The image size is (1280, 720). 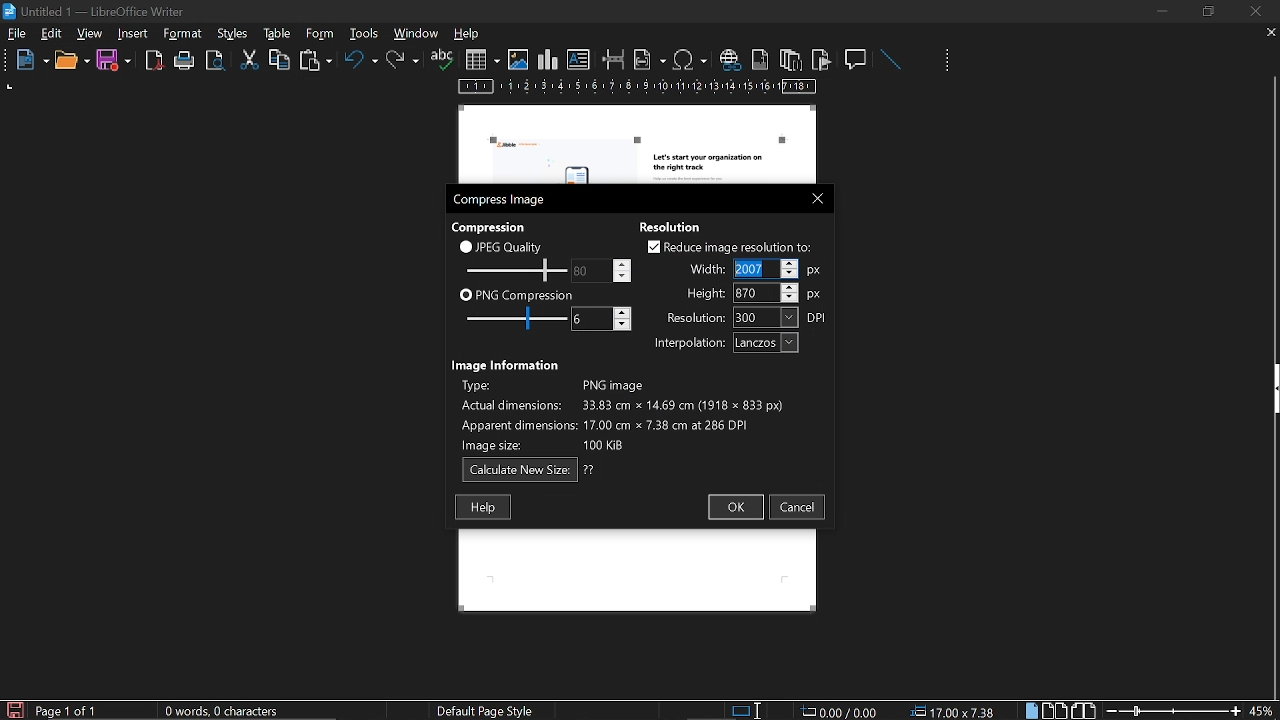 What do you see at coordinates (134, 34) in the screenshot?
I see `insert` at bounding box center [134, 34].